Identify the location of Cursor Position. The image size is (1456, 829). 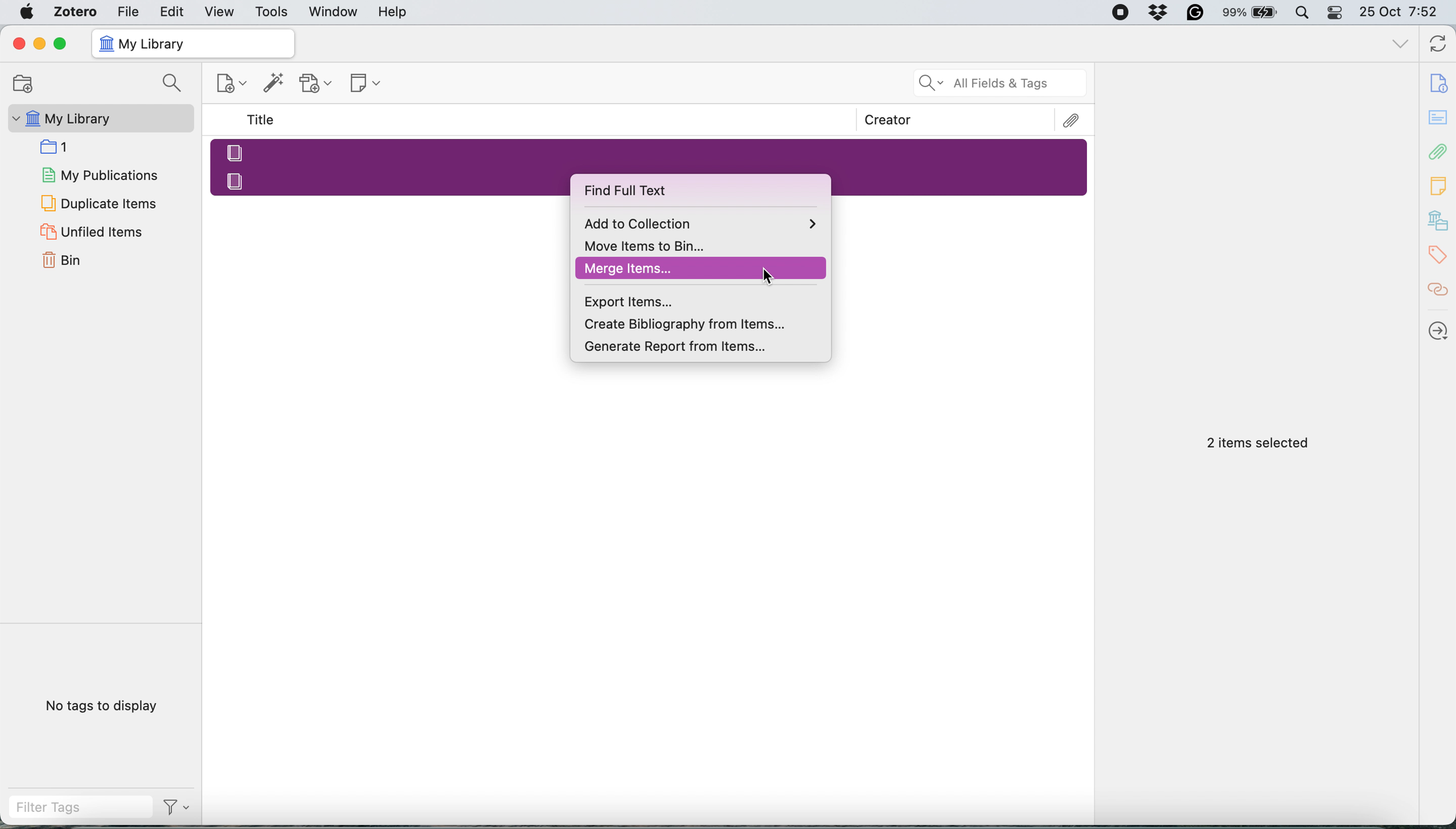
(768, 276).